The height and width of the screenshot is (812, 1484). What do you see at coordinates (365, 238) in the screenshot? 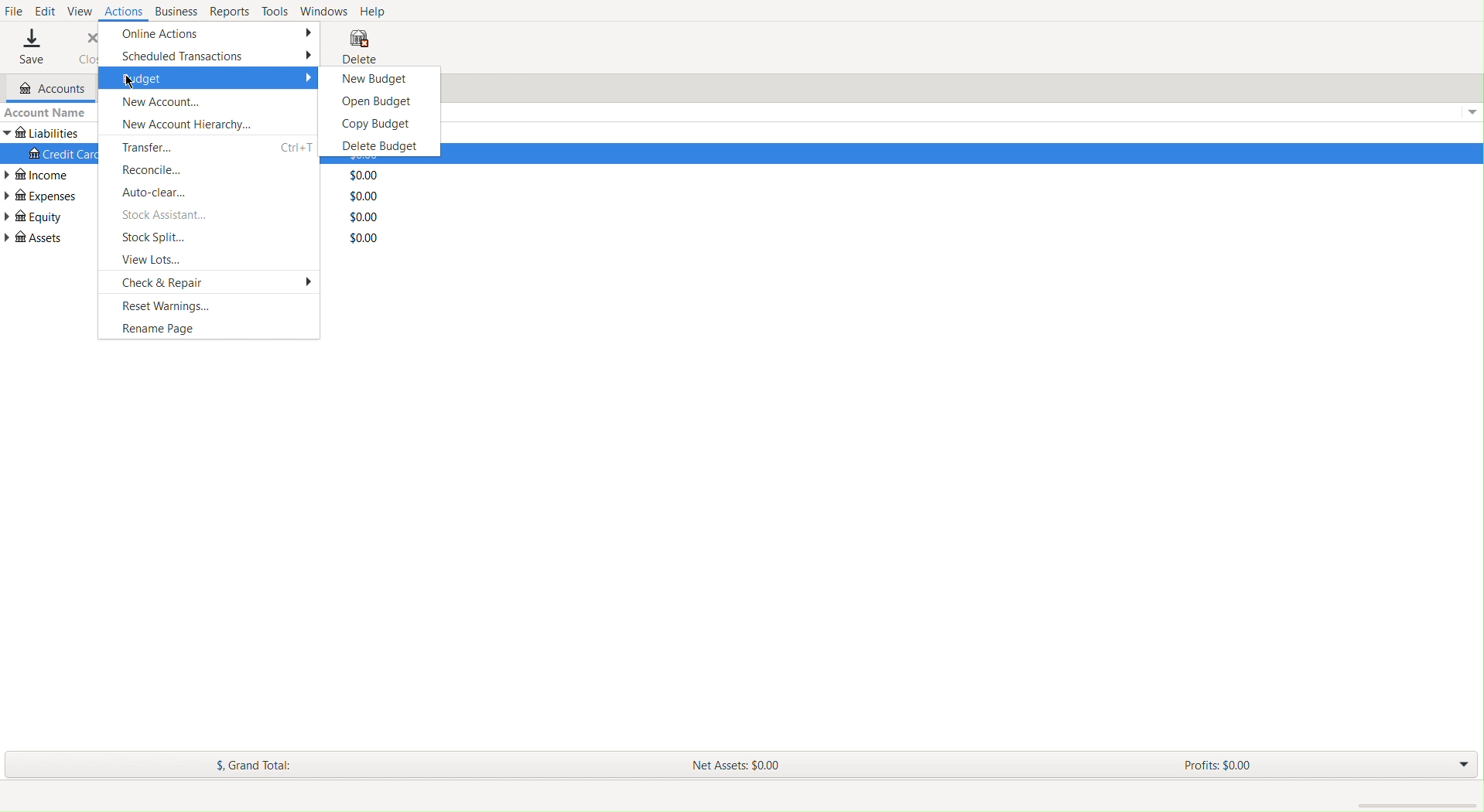
I see `Total` at bounding box center [365, 238].